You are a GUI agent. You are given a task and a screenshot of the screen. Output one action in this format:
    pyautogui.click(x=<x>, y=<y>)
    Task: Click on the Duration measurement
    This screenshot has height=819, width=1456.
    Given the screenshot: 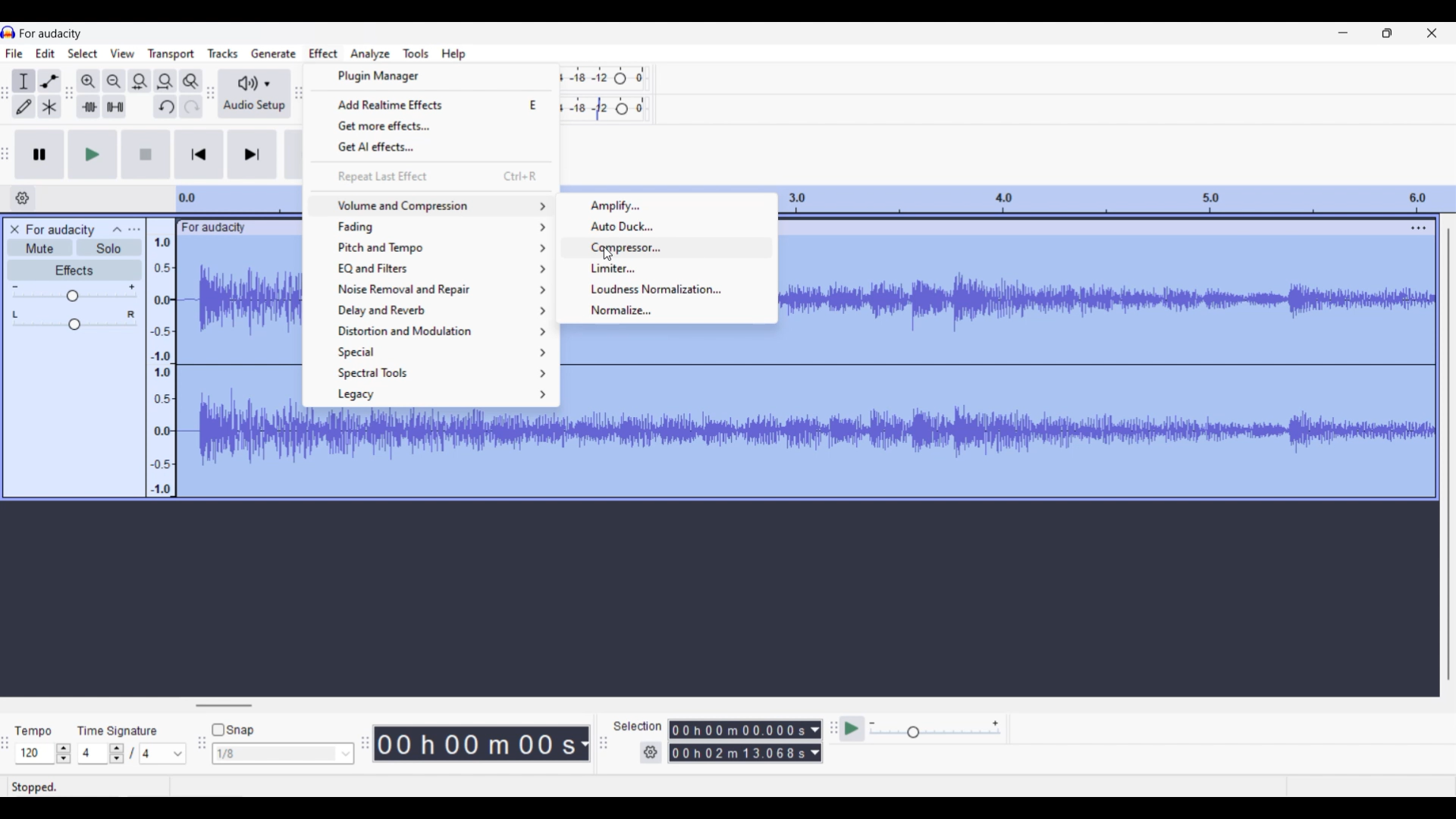 What is the action you would take?
    pyautogui.click(x=815, y=741)
    